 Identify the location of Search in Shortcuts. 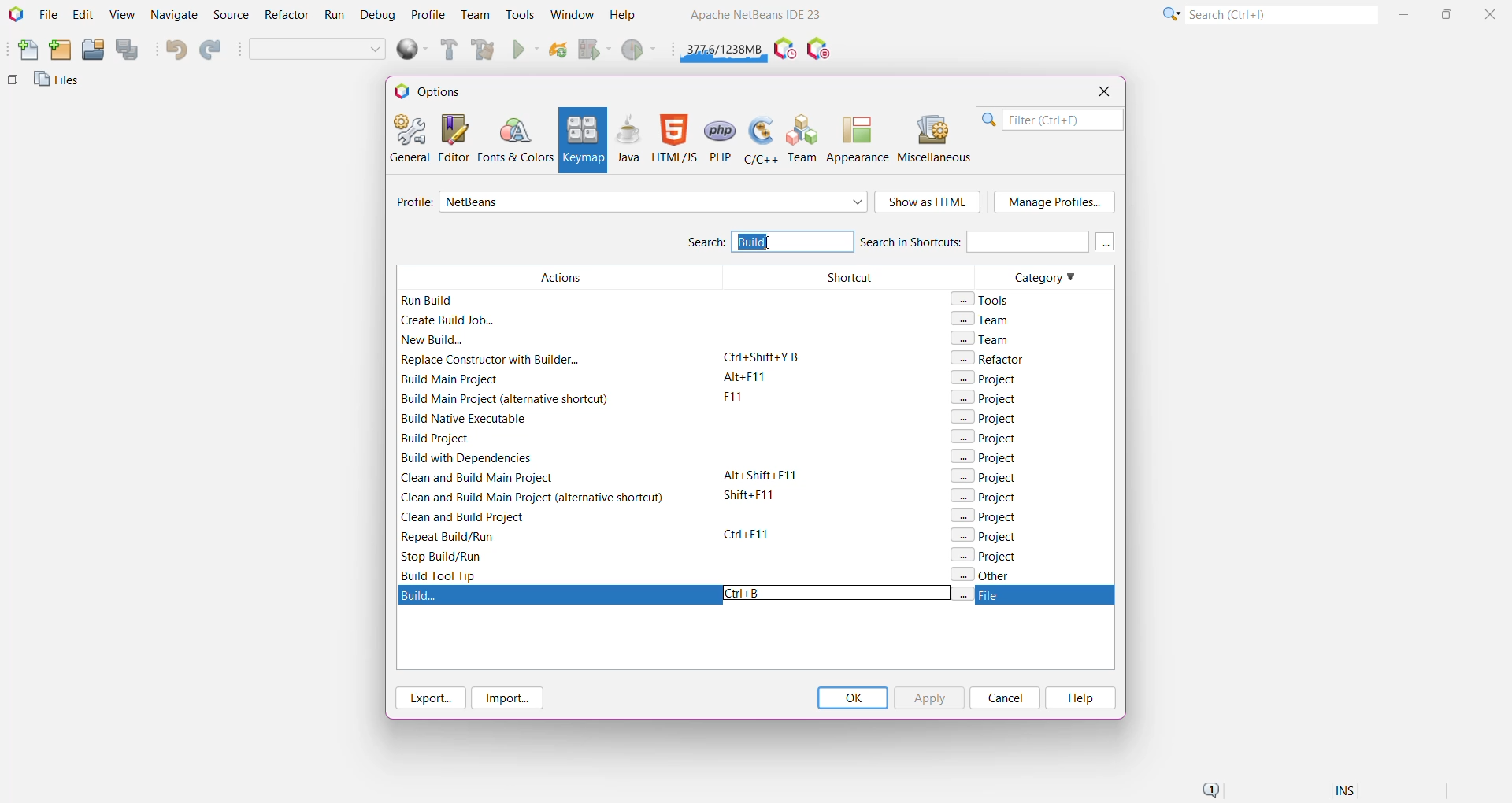
(973, 241).